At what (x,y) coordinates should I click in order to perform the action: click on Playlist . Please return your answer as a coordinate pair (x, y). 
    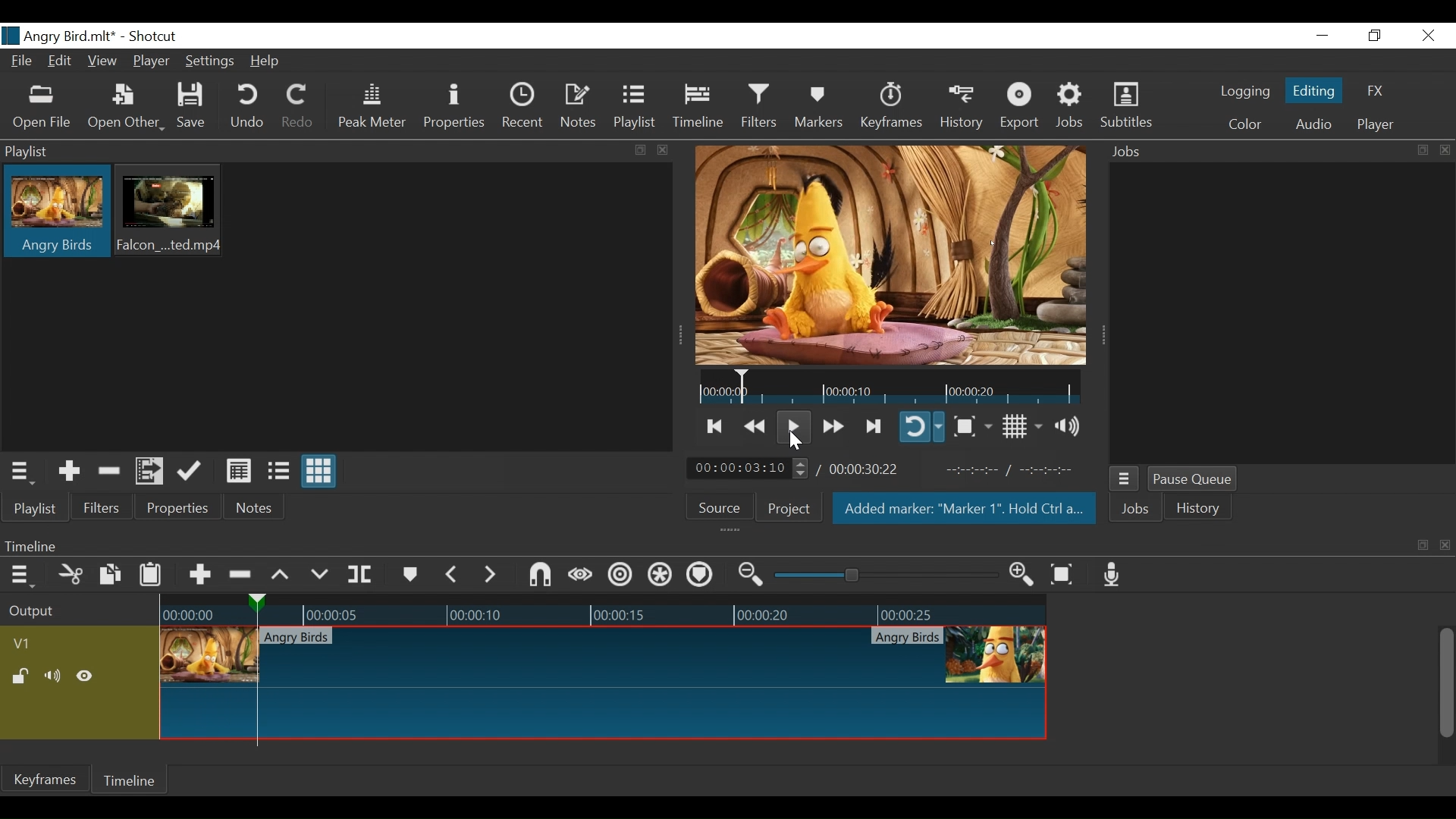
    Looking at the image, I should click on (34, 508).